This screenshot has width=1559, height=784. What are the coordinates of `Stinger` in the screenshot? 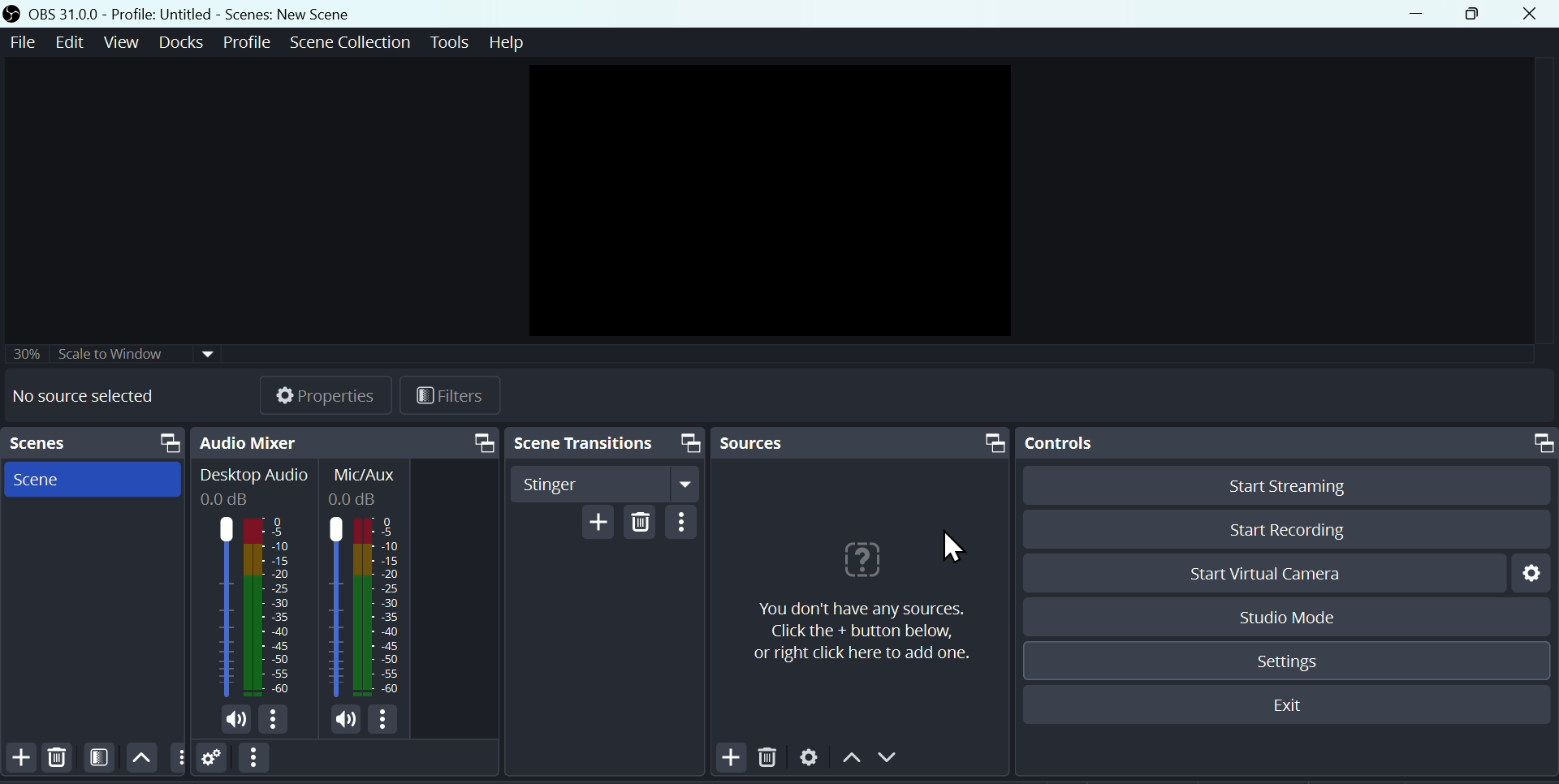 It's located at (602, 483).